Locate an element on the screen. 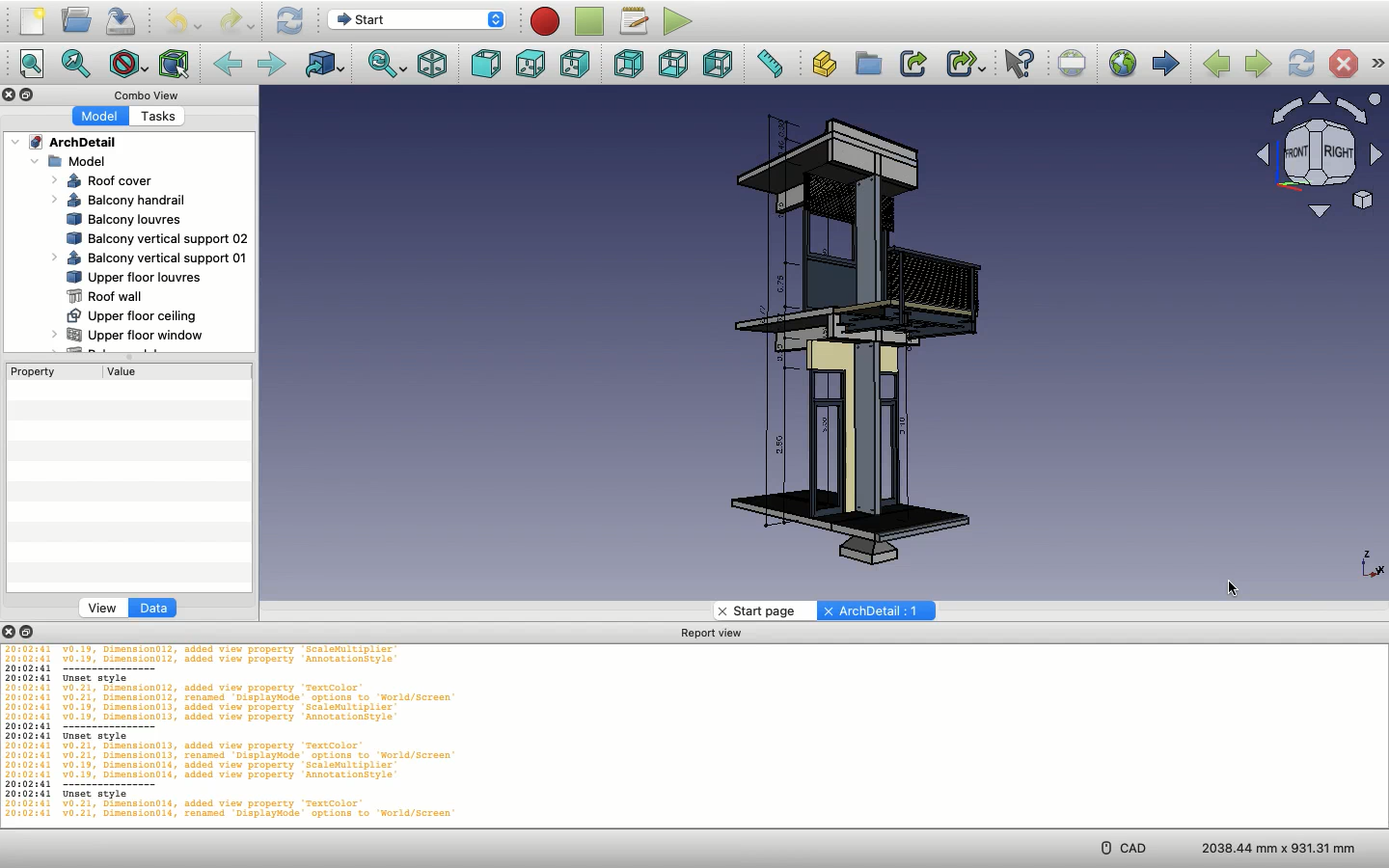 This screenshot has width=1389, height=868. Fit all is located at coordinates (35, 64).